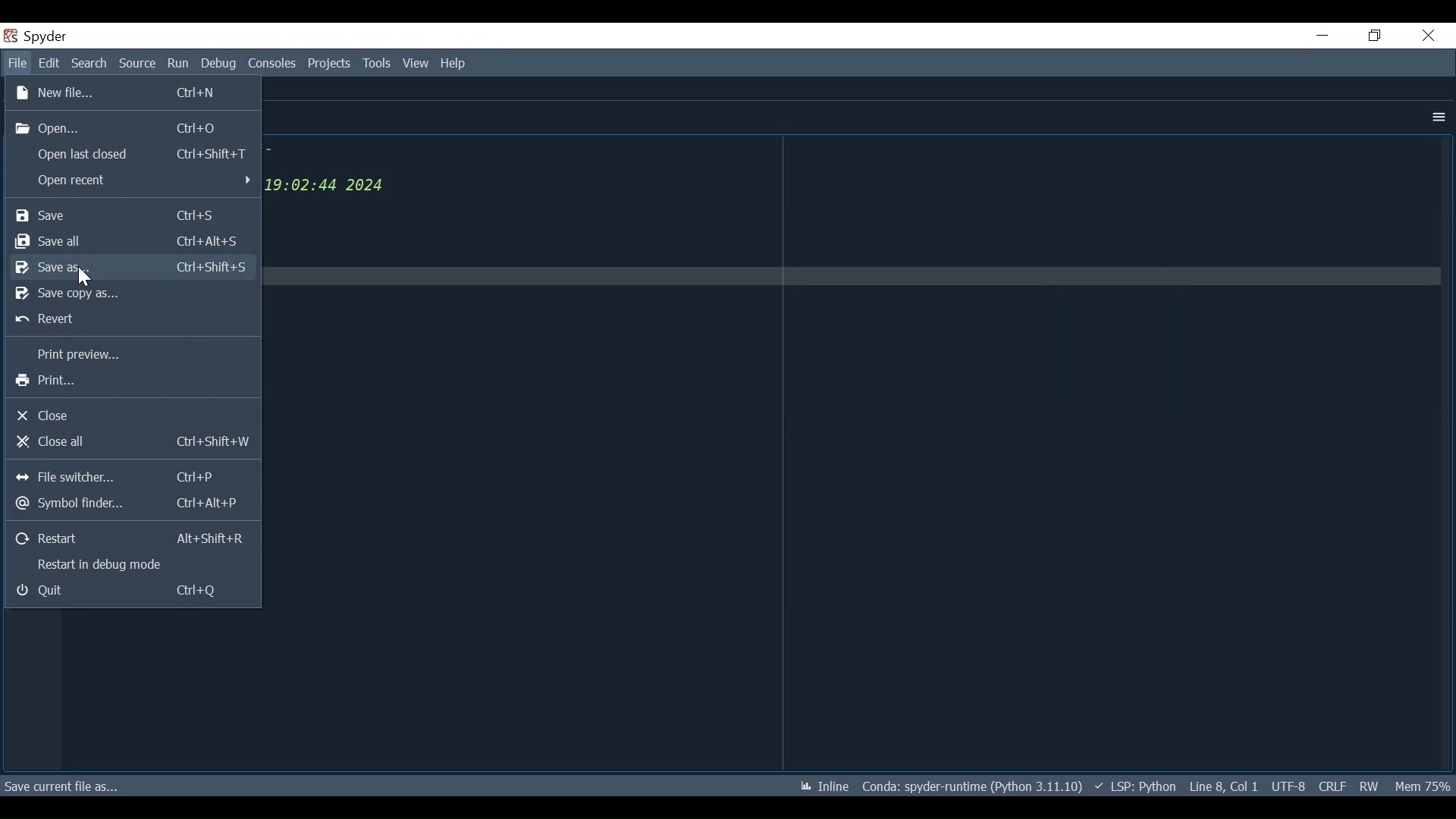  What do you see at coordinates (17, 64) in the screenshot?
I see `File` at bounding box center [17, 64].